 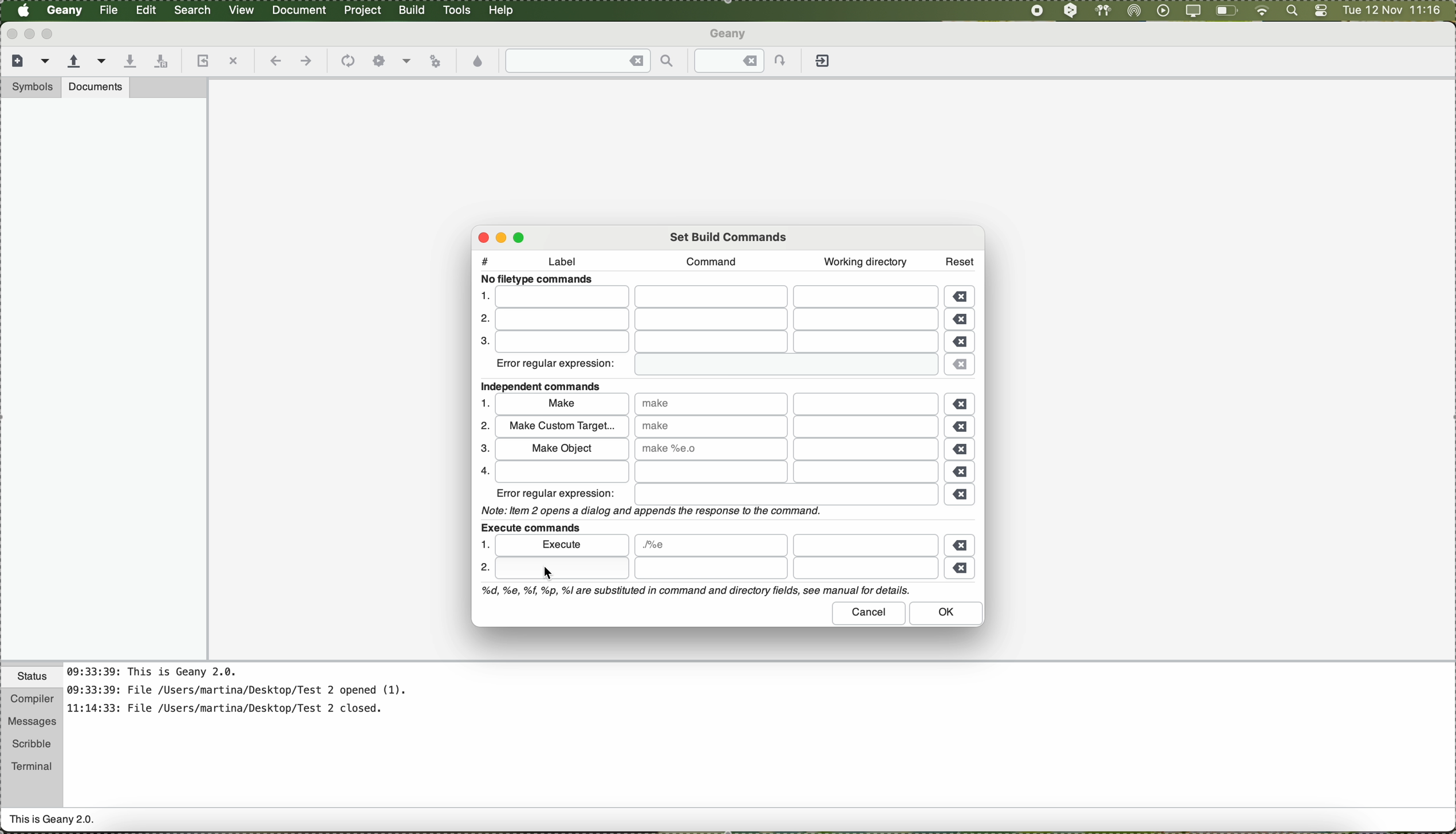 I want to click on click, so click(x=561, y=568).